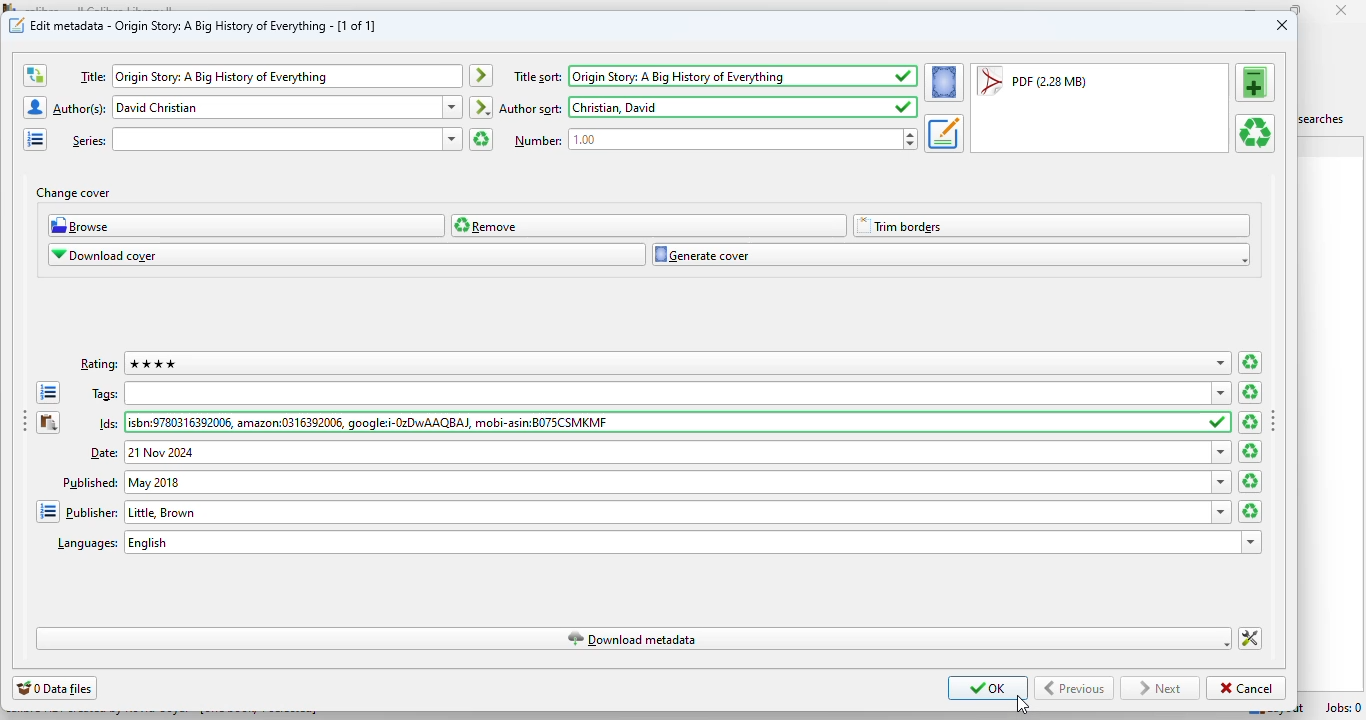 This screenshot has height=720, width=1366. I want to click on dropdown, so click(1223, 512).